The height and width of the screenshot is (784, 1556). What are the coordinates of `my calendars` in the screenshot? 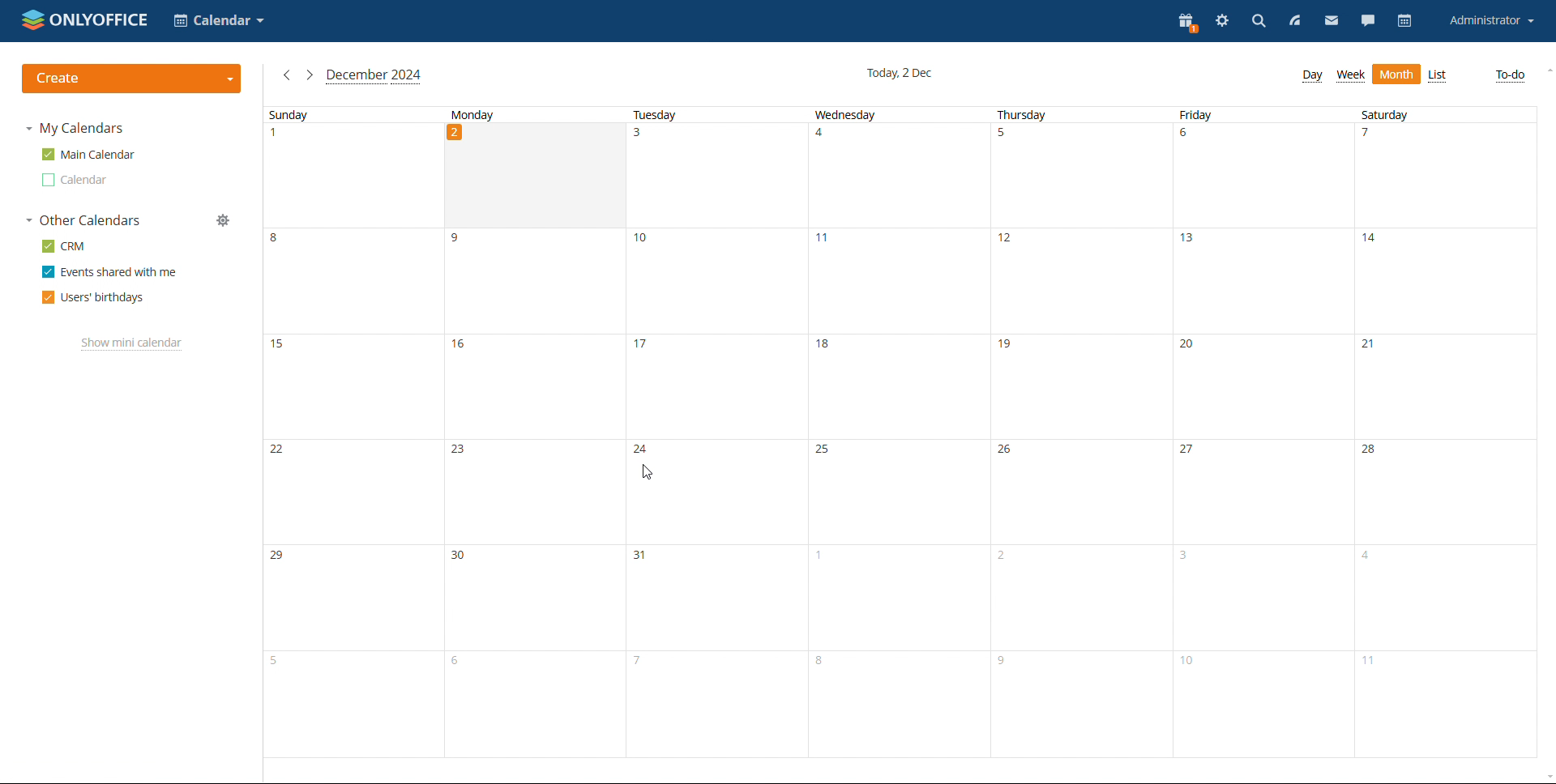 It's located at (73, 129).